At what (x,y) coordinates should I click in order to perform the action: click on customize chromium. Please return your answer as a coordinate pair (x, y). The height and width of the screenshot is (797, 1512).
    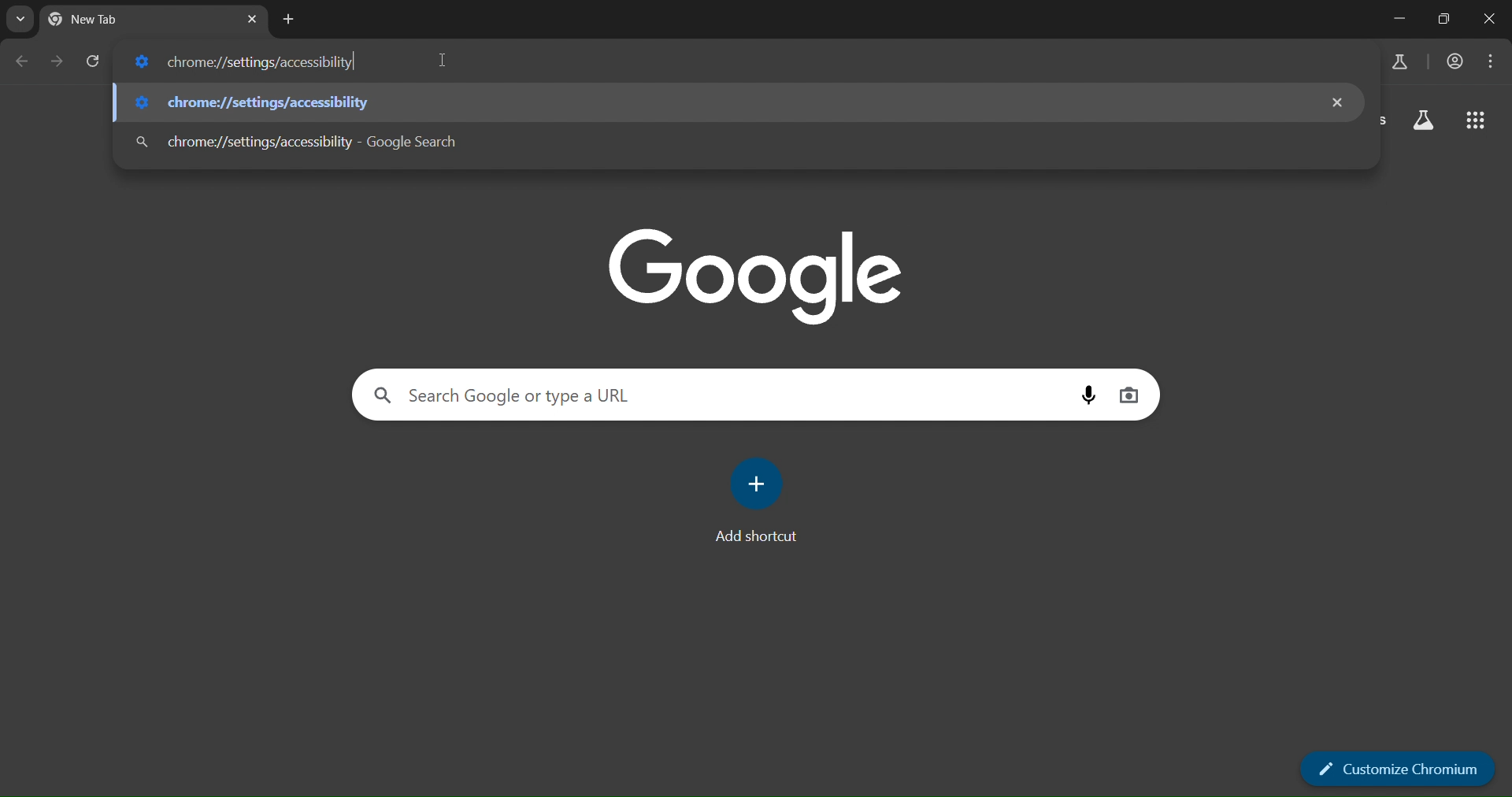
    Looking at the image, I should click on (1400, 768).